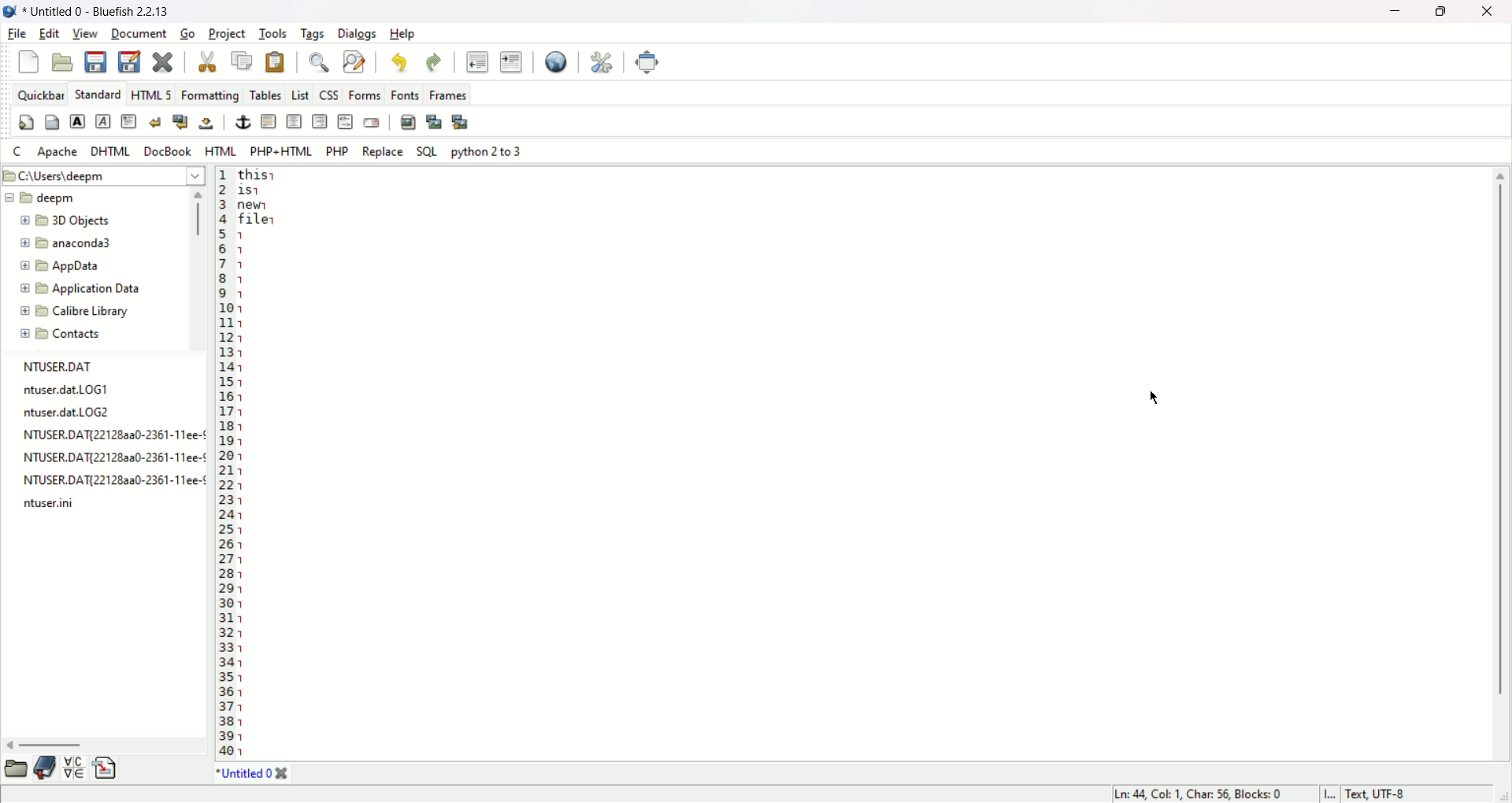  What do you see at coordinates (220, 152) in the screenshot?
I see `HTML` at bounding box center [220, 152].